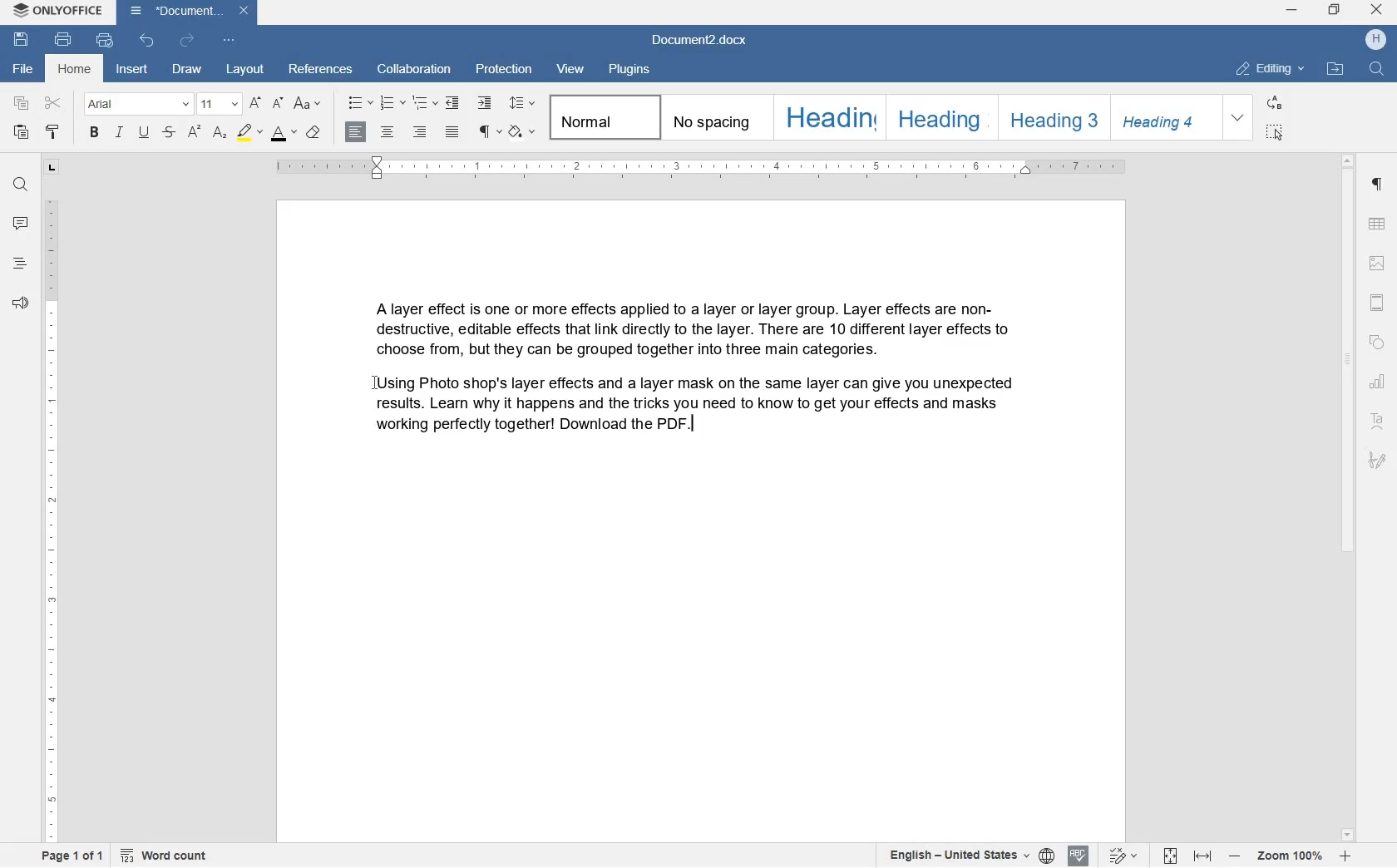  Describe the element at coordinates (105, 39) in the screenshot. I see `QUICK PRINT` at that location.